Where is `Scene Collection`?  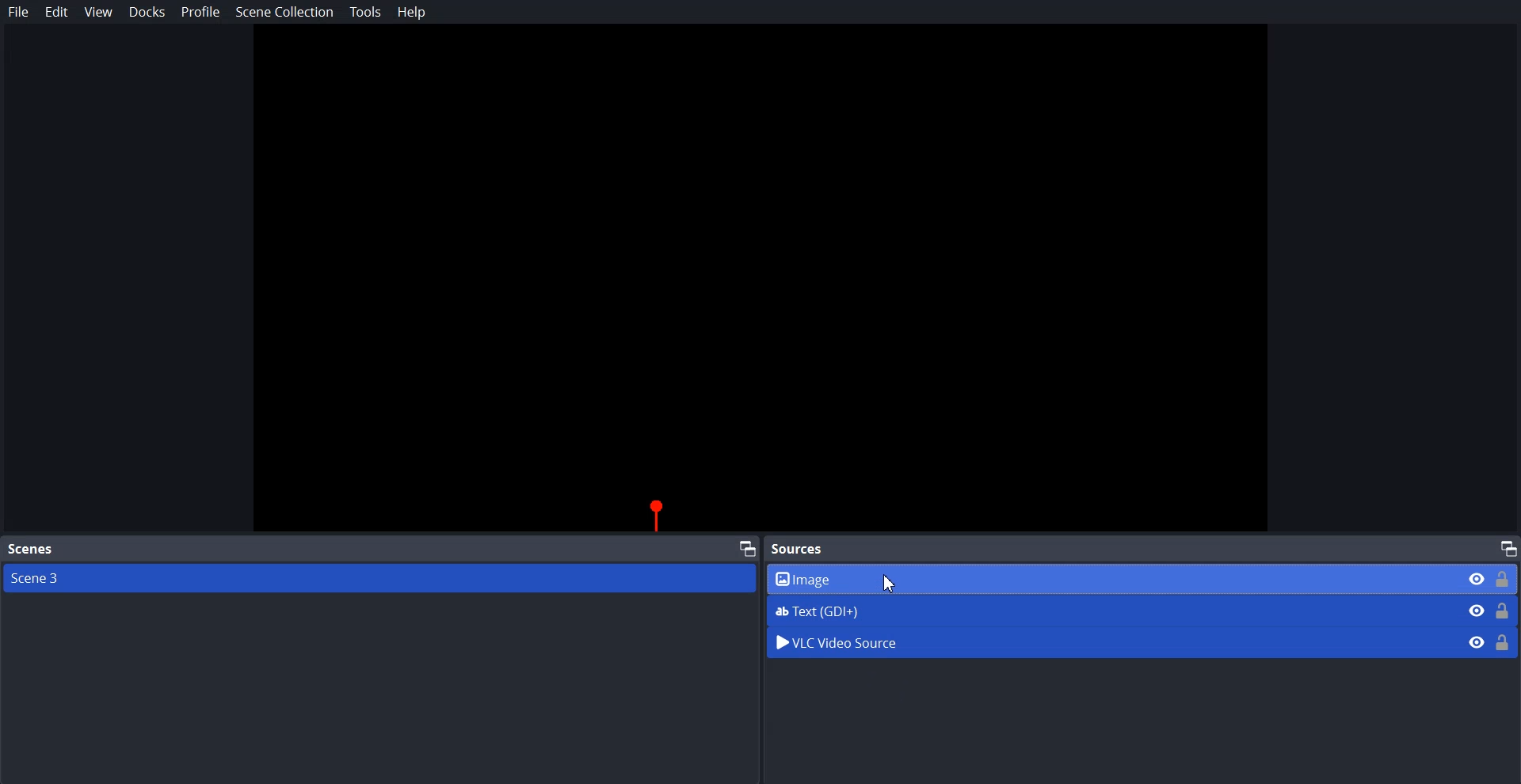 Scene Collection is located at coordinates (284, 14).